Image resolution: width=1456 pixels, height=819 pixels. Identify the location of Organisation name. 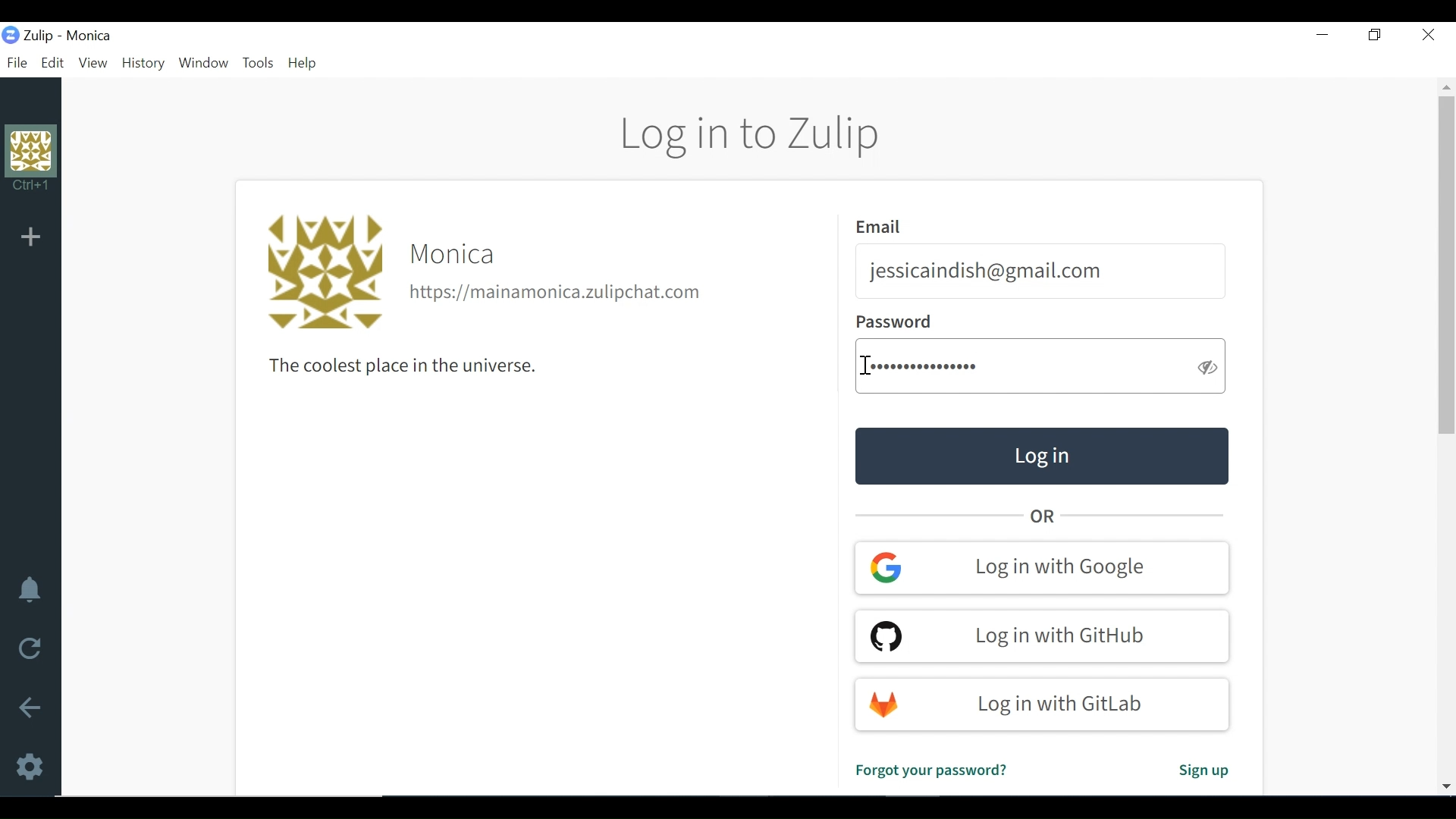
(89, 36).